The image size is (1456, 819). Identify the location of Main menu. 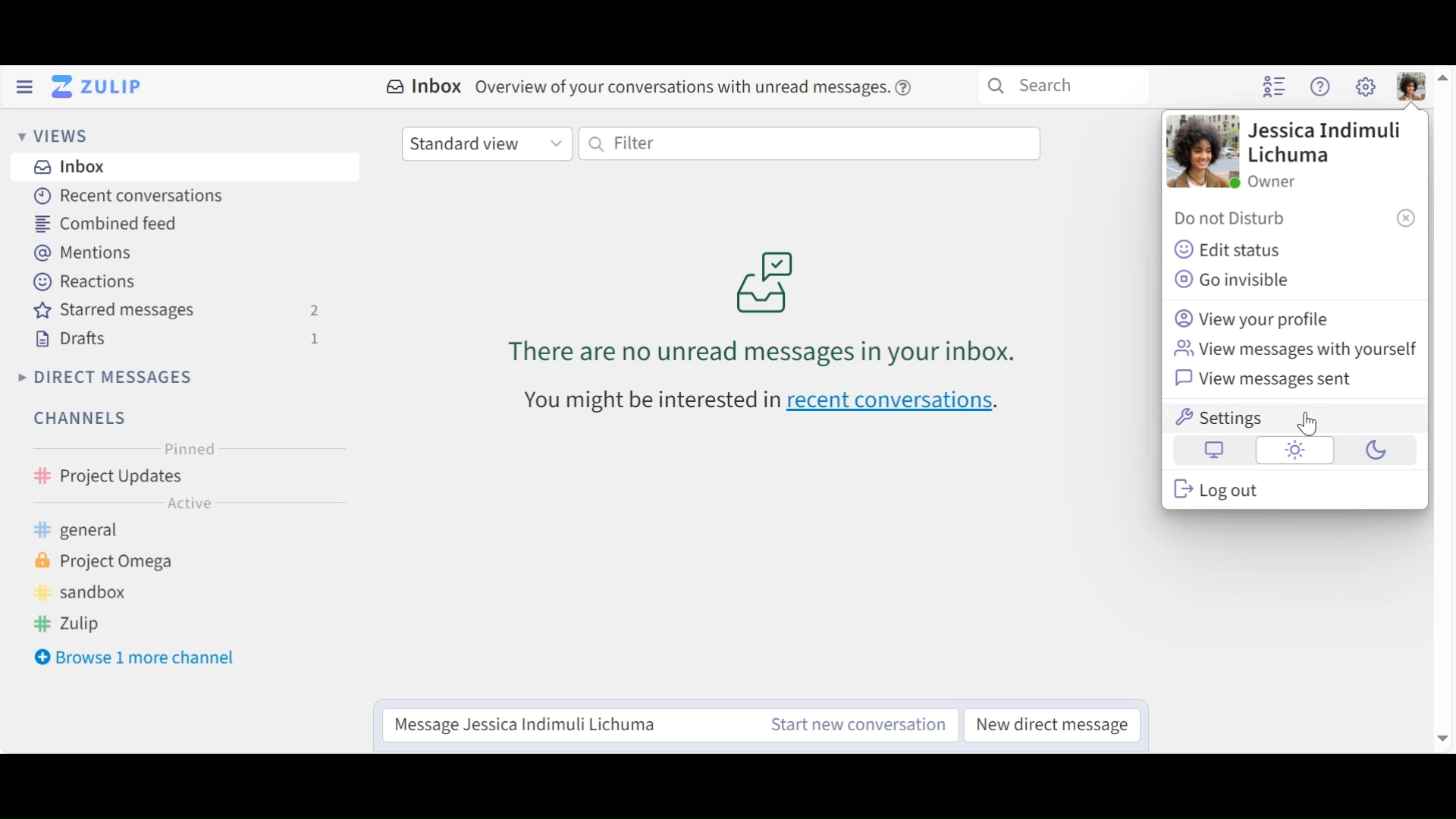
(1367, 86).